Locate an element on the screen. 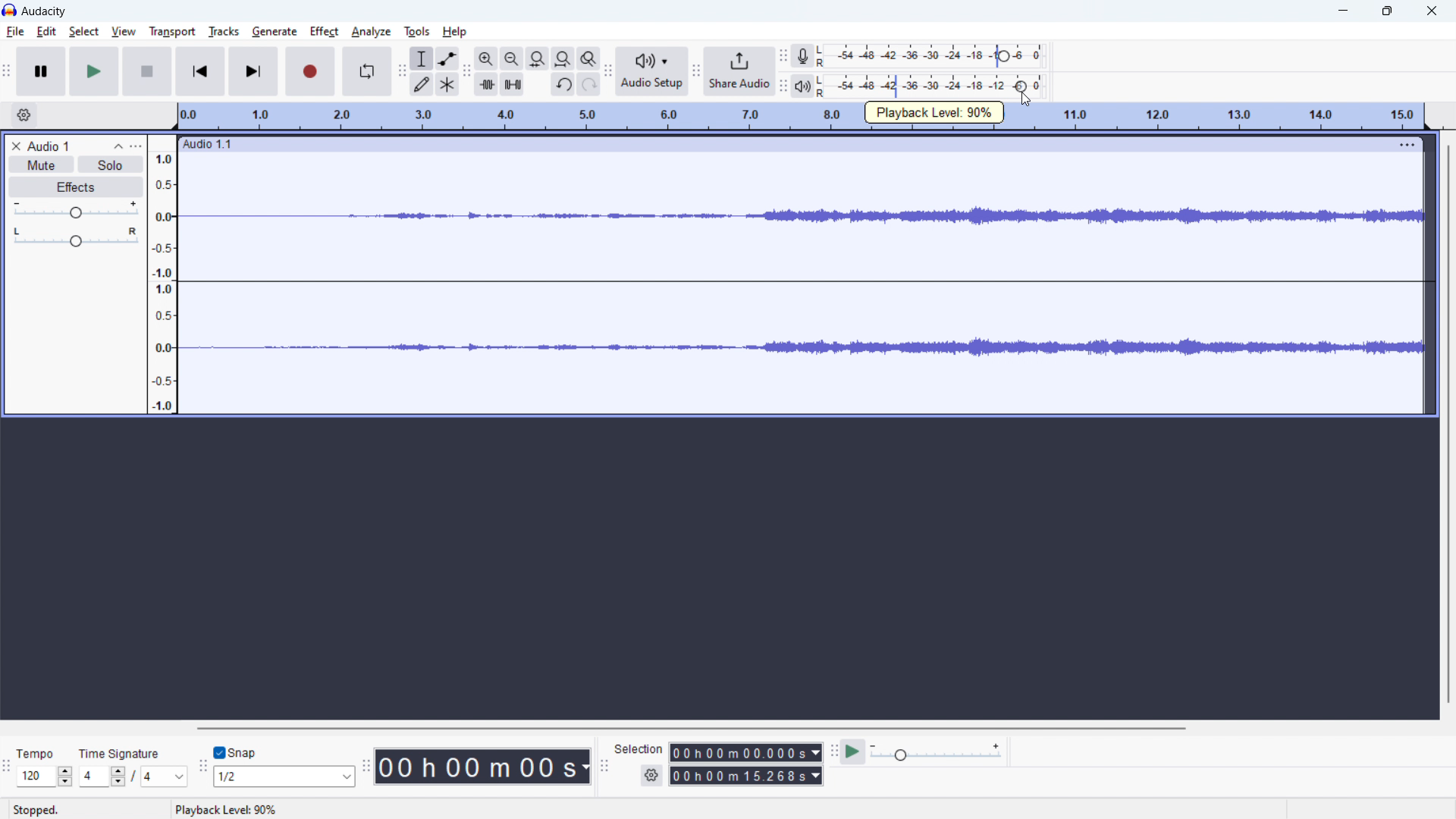 Image resolution: width=1456 pixels, height=819 pixels. playback meter is located at coordinates (803, 85).